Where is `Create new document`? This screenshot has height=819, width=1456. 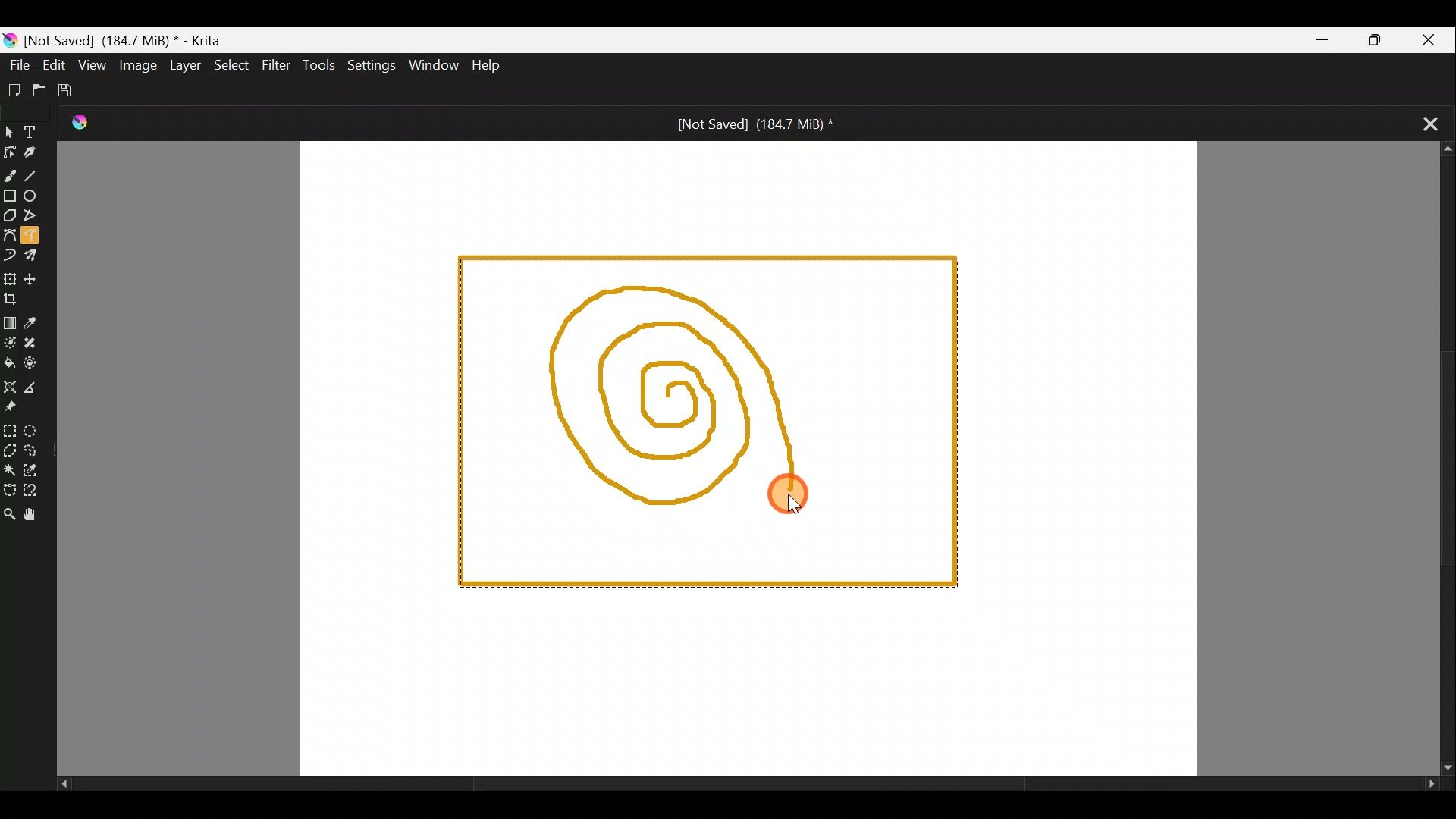
Create new document is located at coordinates (15, 90).